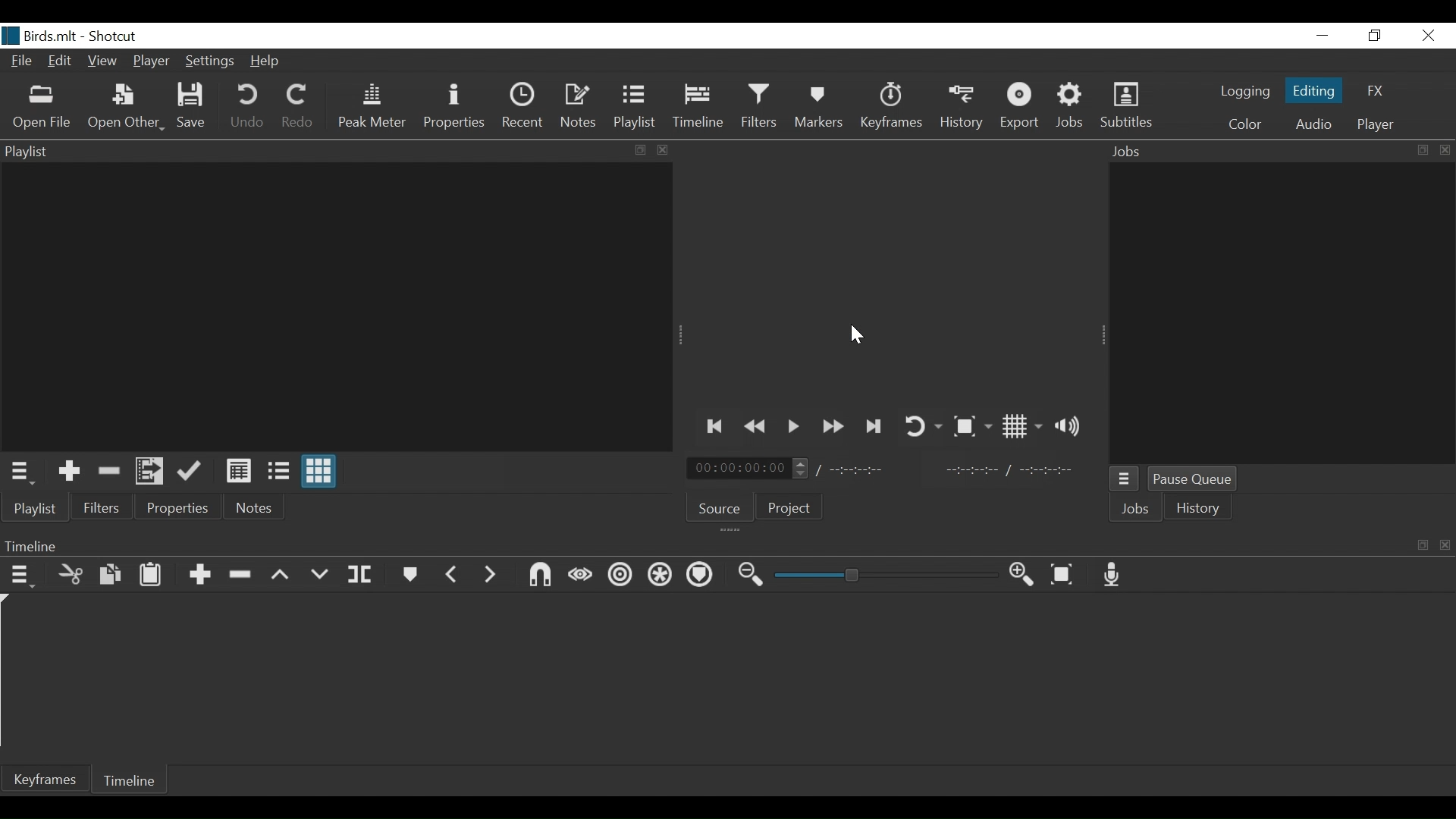 This screenshot has width=1456, height=819. Describe the element at coordinates (69, 471) in the screenshot. I see `Add the Source to the playlist` at that location.